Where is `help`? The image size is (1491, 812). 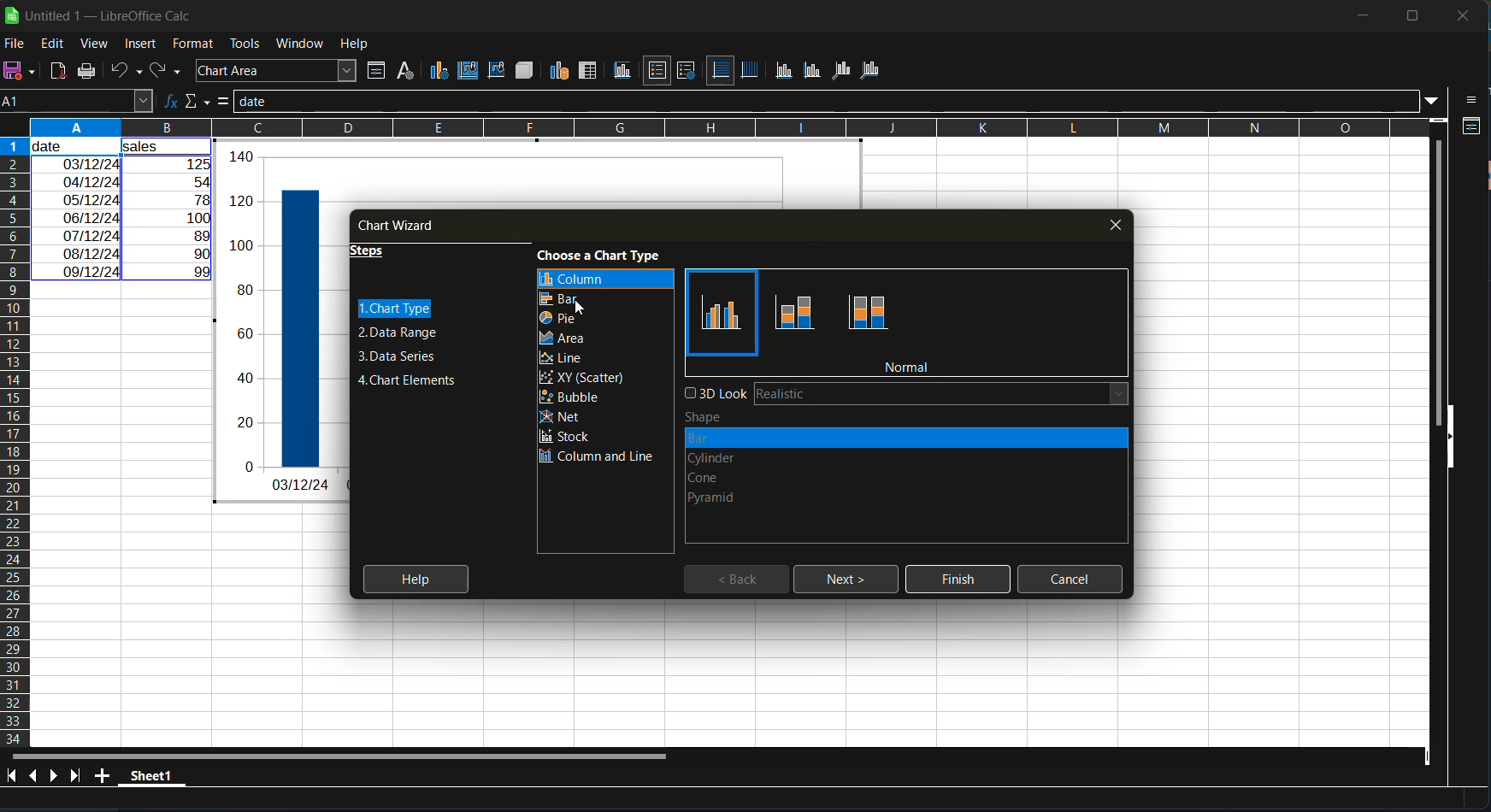
help is located at coordinates (356, 43).